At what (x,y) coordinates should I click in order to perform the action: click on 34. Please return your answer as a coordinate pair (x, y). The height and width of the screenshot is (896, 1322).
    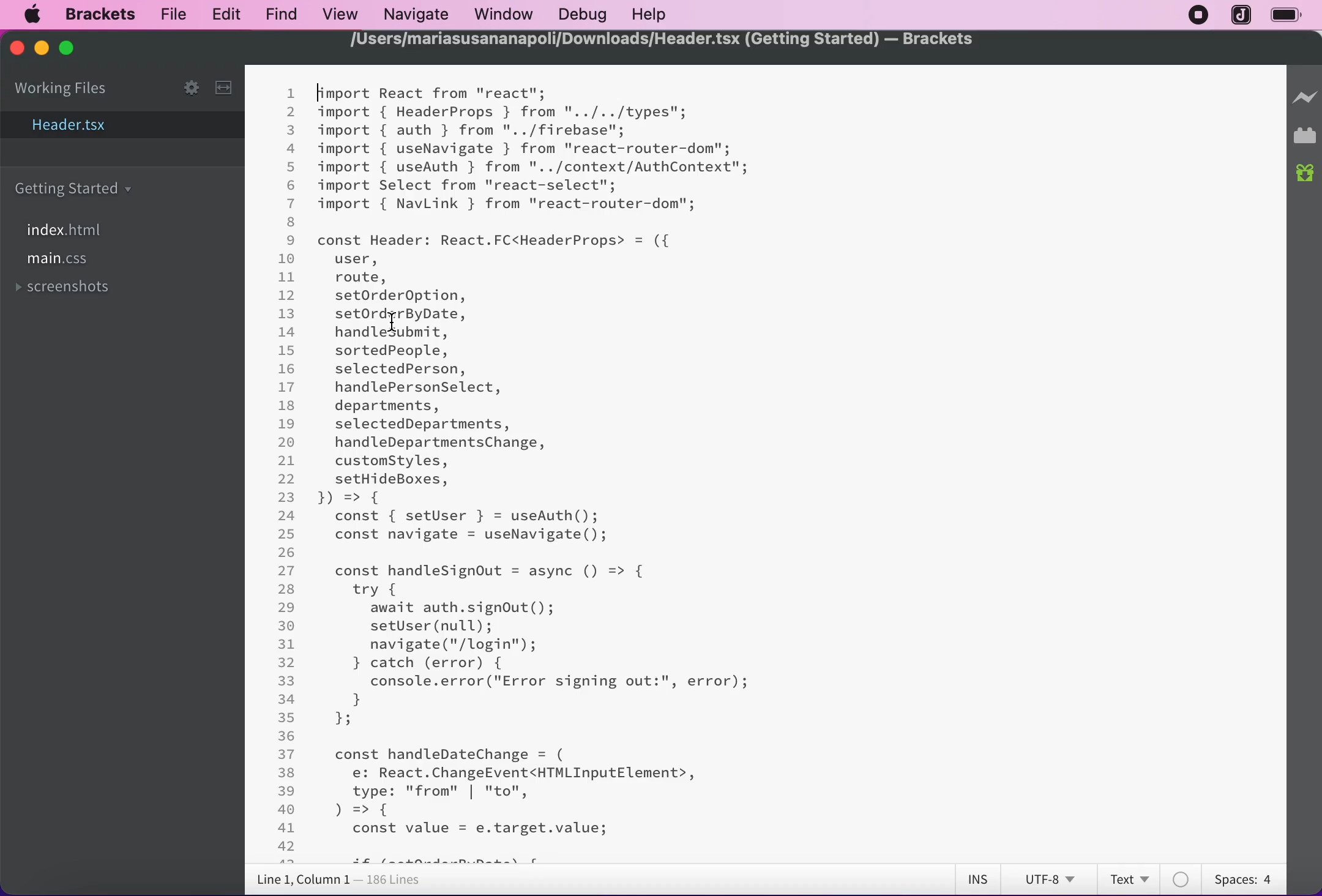
    Looking at the image, I should click on (288, 699).